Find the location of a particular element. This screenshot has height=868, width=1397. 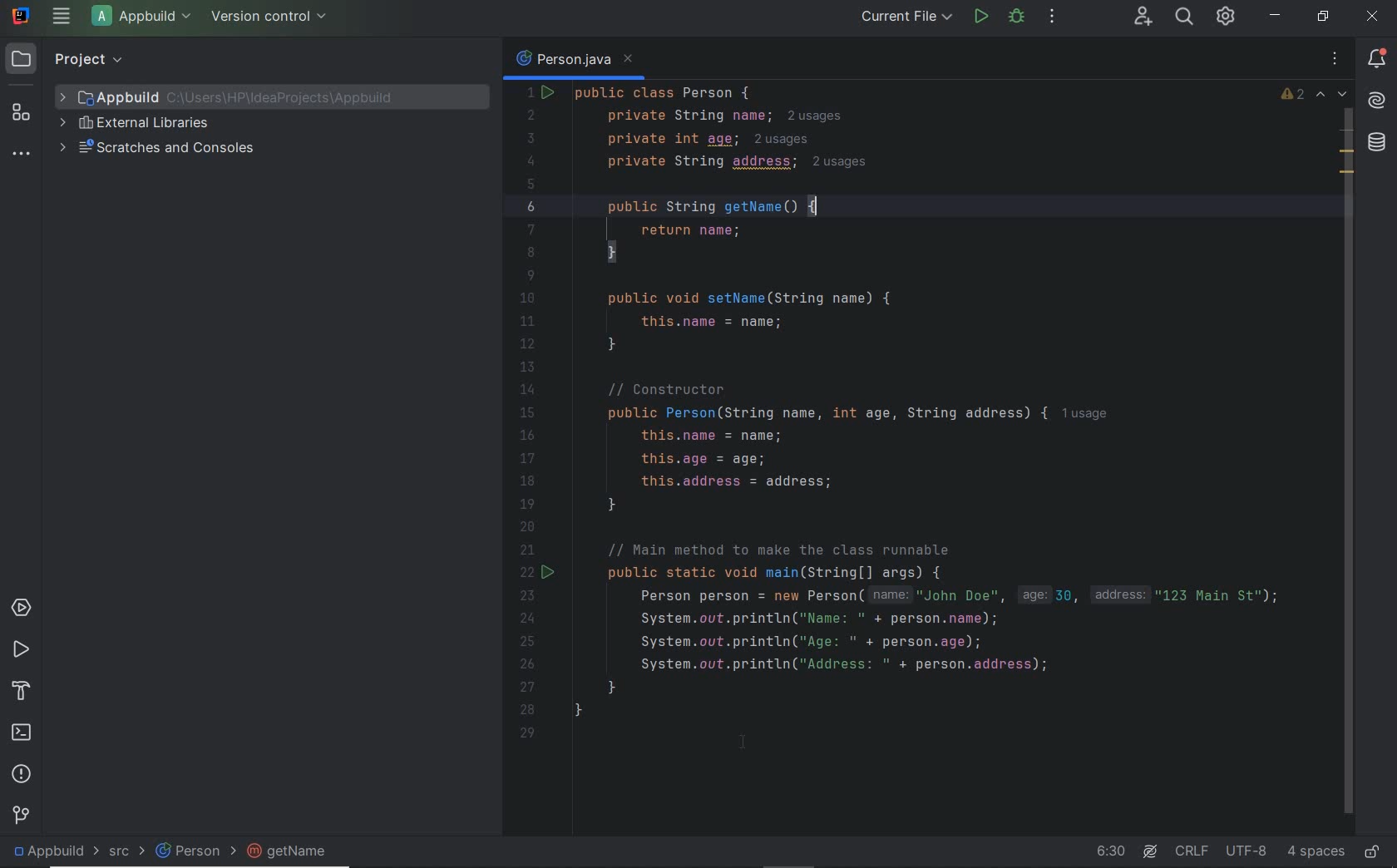

external libraries is located at coordinates (136, 123).